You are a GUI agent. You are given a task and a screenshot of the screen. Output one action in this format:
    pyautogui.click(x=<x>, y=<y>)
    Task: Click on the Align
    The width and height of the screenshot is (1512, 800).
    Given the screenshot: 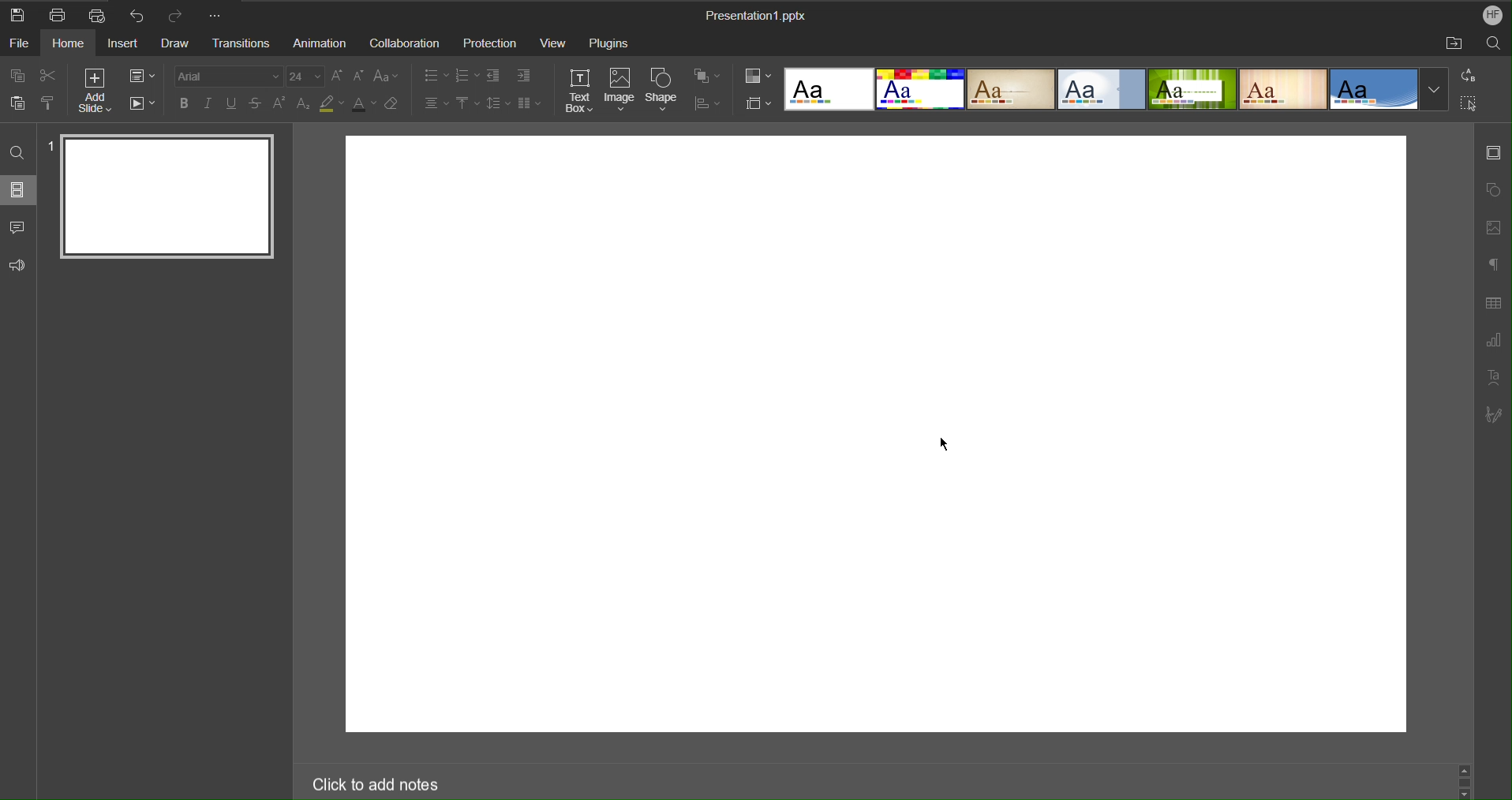 What is the action you would take?
    pyautogui.click(x=706, y=100)
    